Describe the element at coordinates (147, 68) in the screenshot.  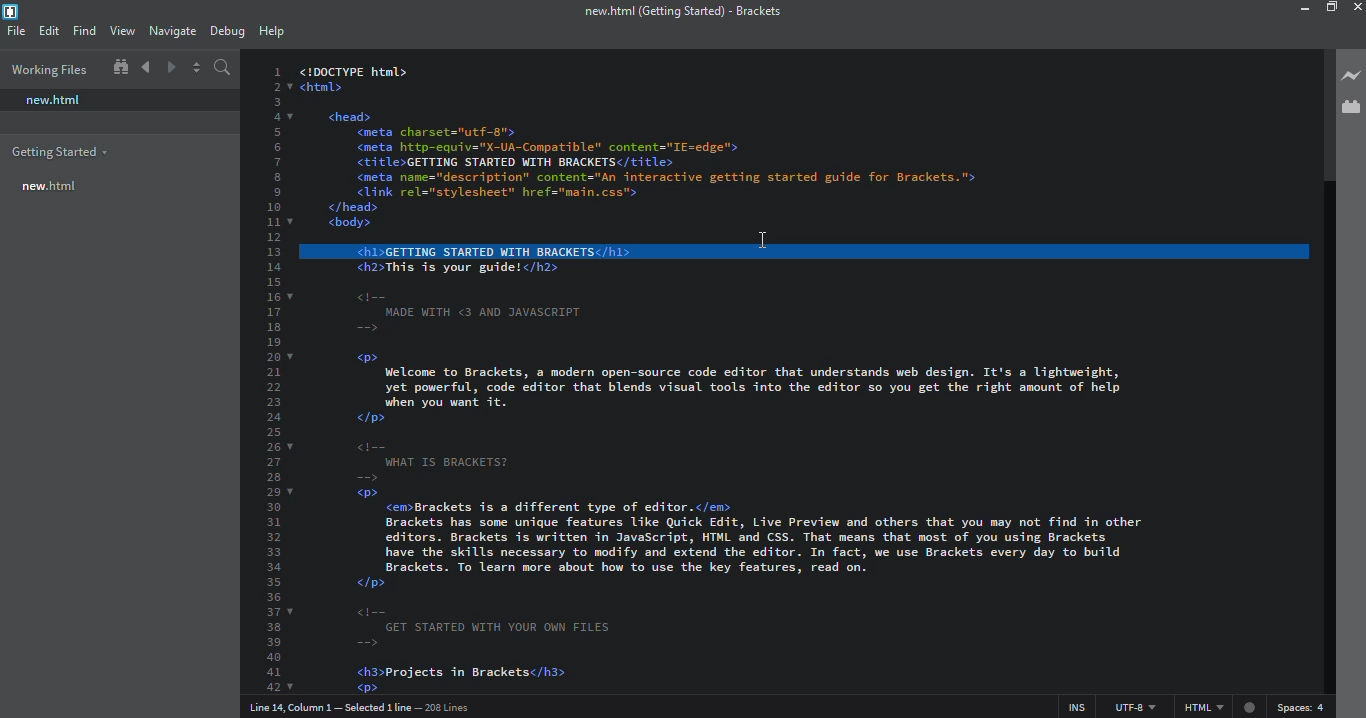
I see `navigate back` at that location.